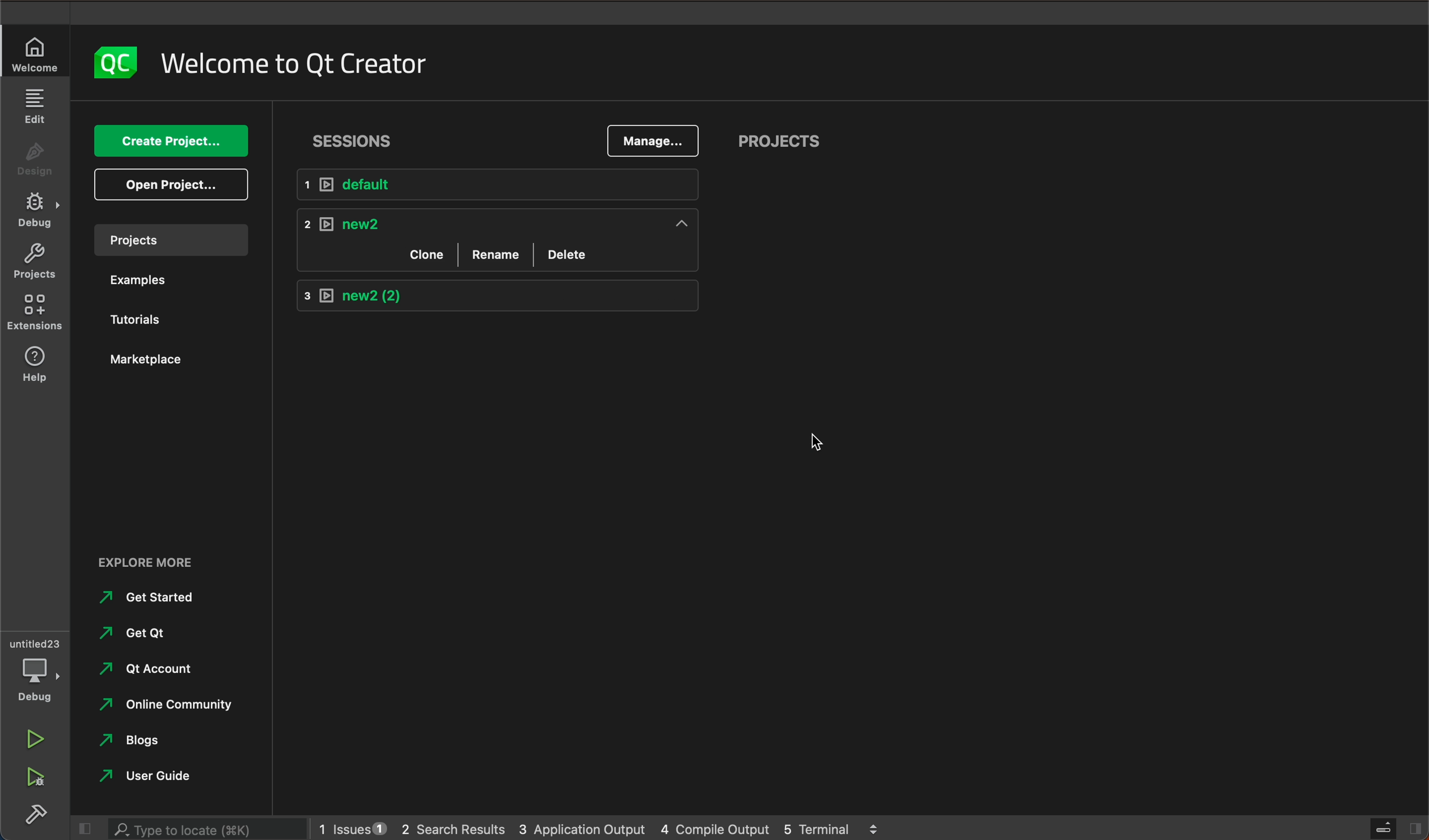 This screenshot has width=1429, height=840. Describe the element at coordinates (581, 825) in the screenshot. I see `application output` at that location.